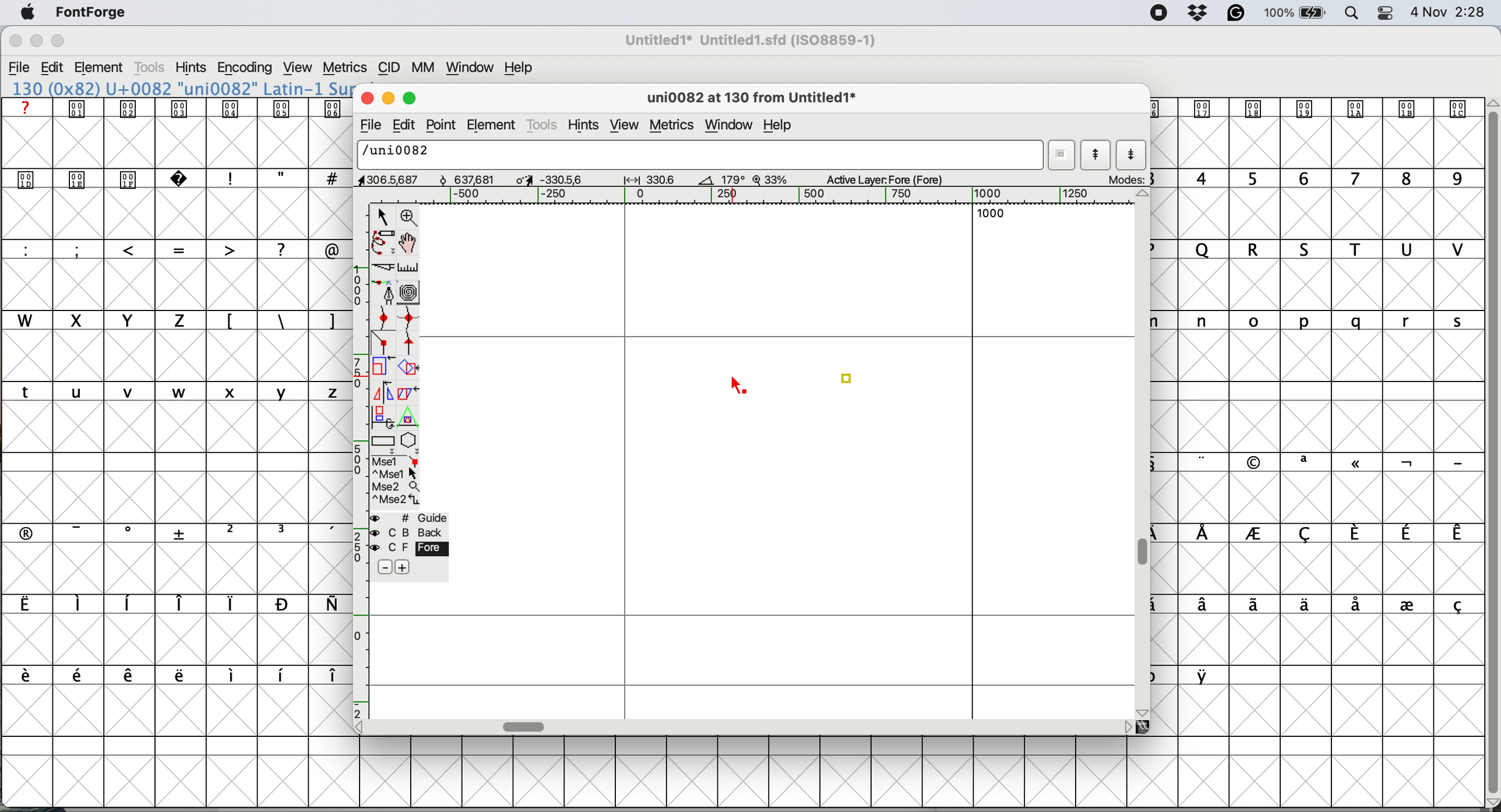 The width and height of the screenshot is (1501, 812). Describe the element at coordinates (440, 125) in the screenshot. I see `point` at that location.